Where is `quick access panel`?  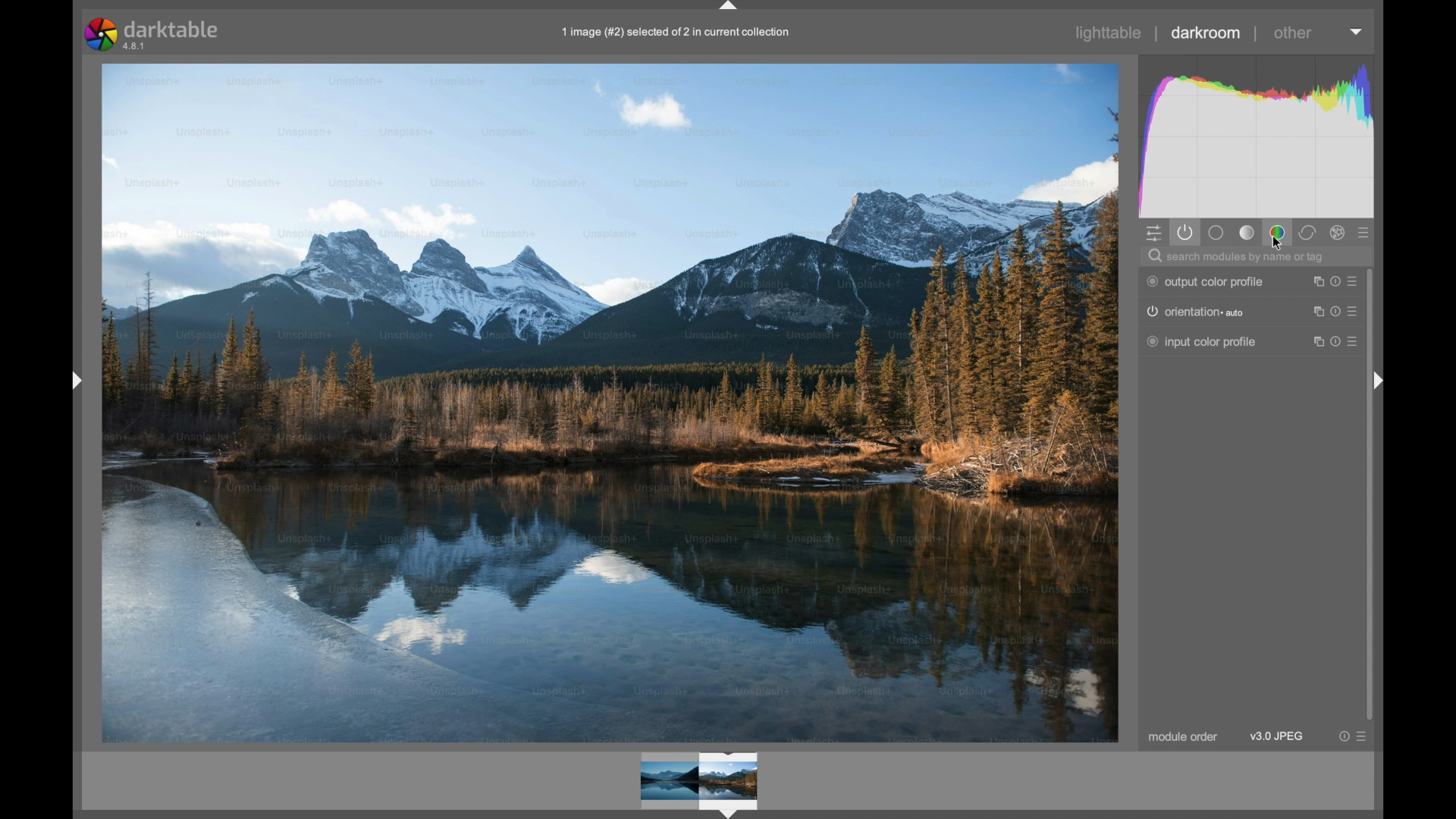 quick access panel is located at coordinates (1154, 234).